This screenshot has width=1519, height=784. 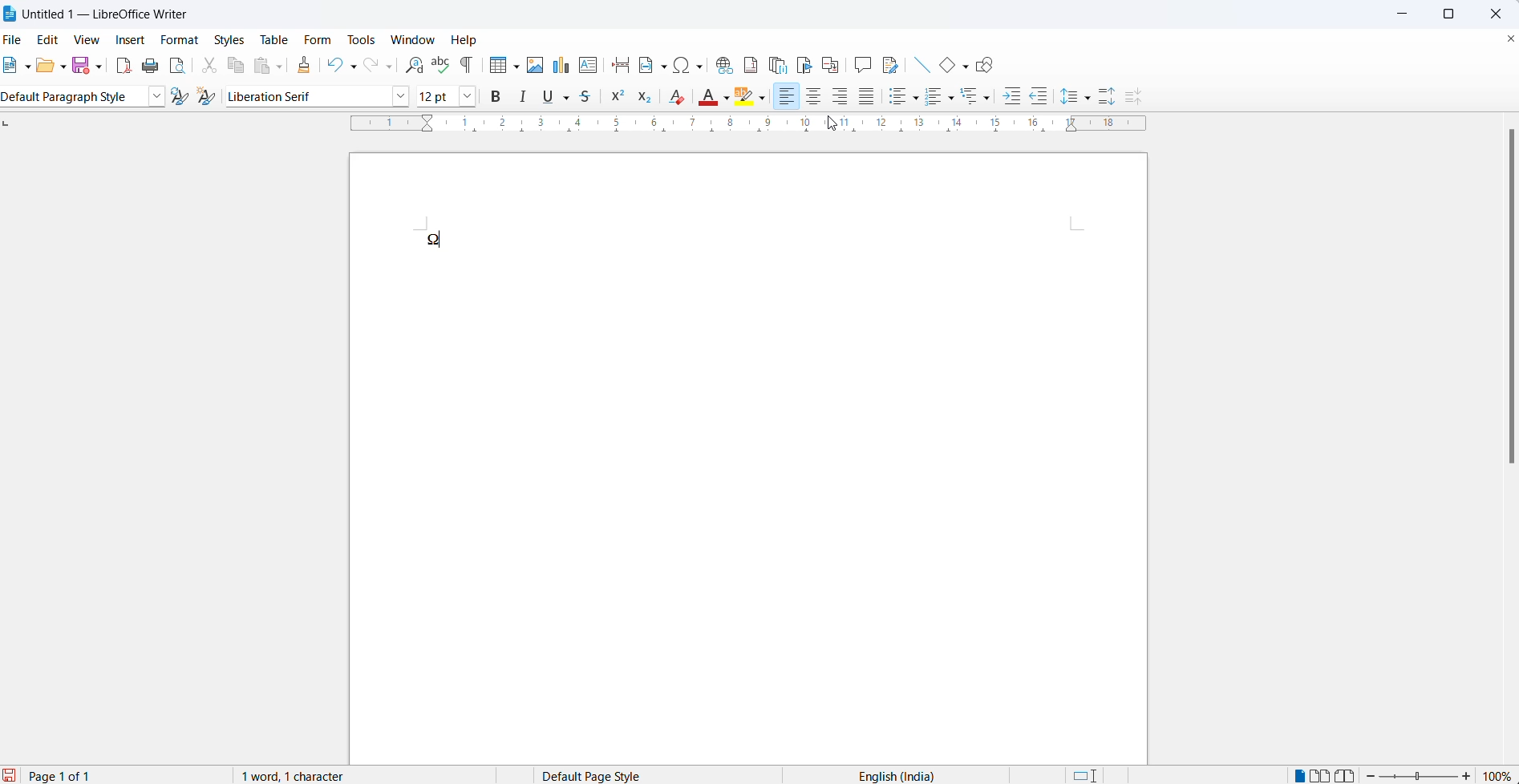 I want to click on increase indent, so click(x=1010, y=97).